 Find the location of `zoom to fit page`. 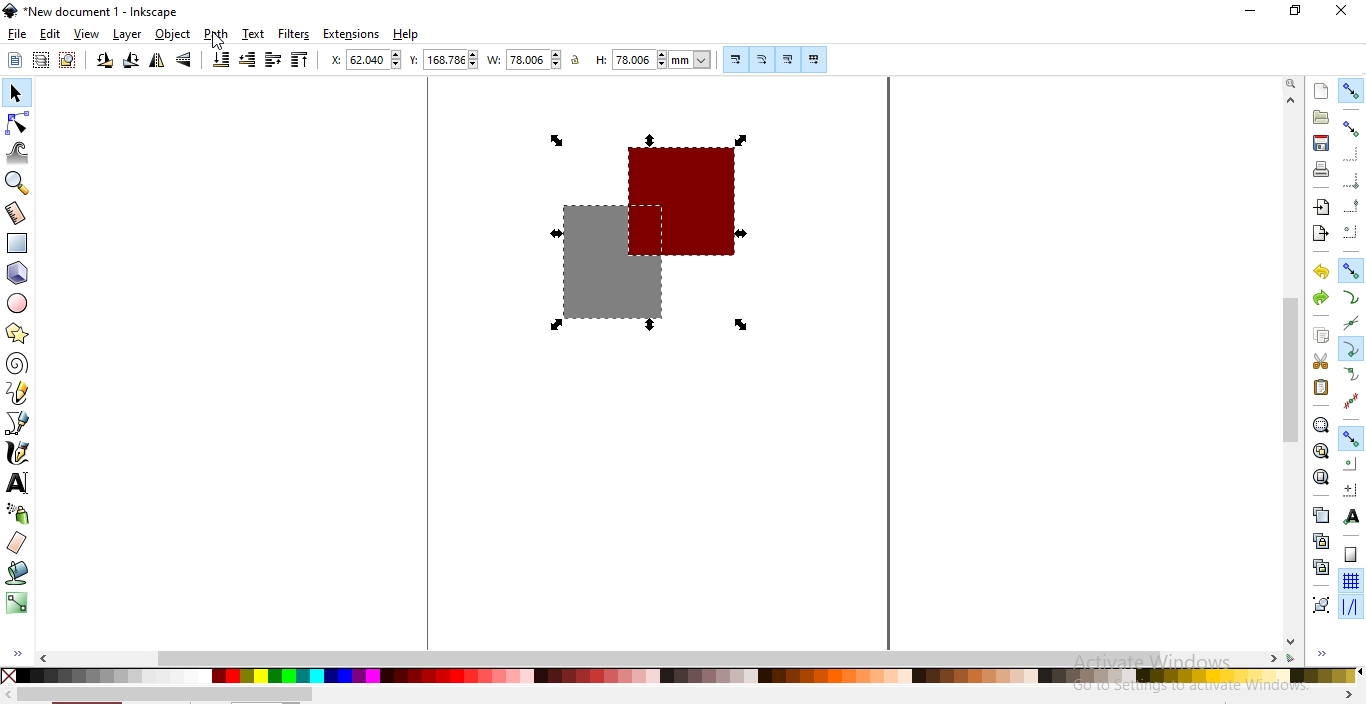

zoom to fit page is located at coordinates (1321, 477).